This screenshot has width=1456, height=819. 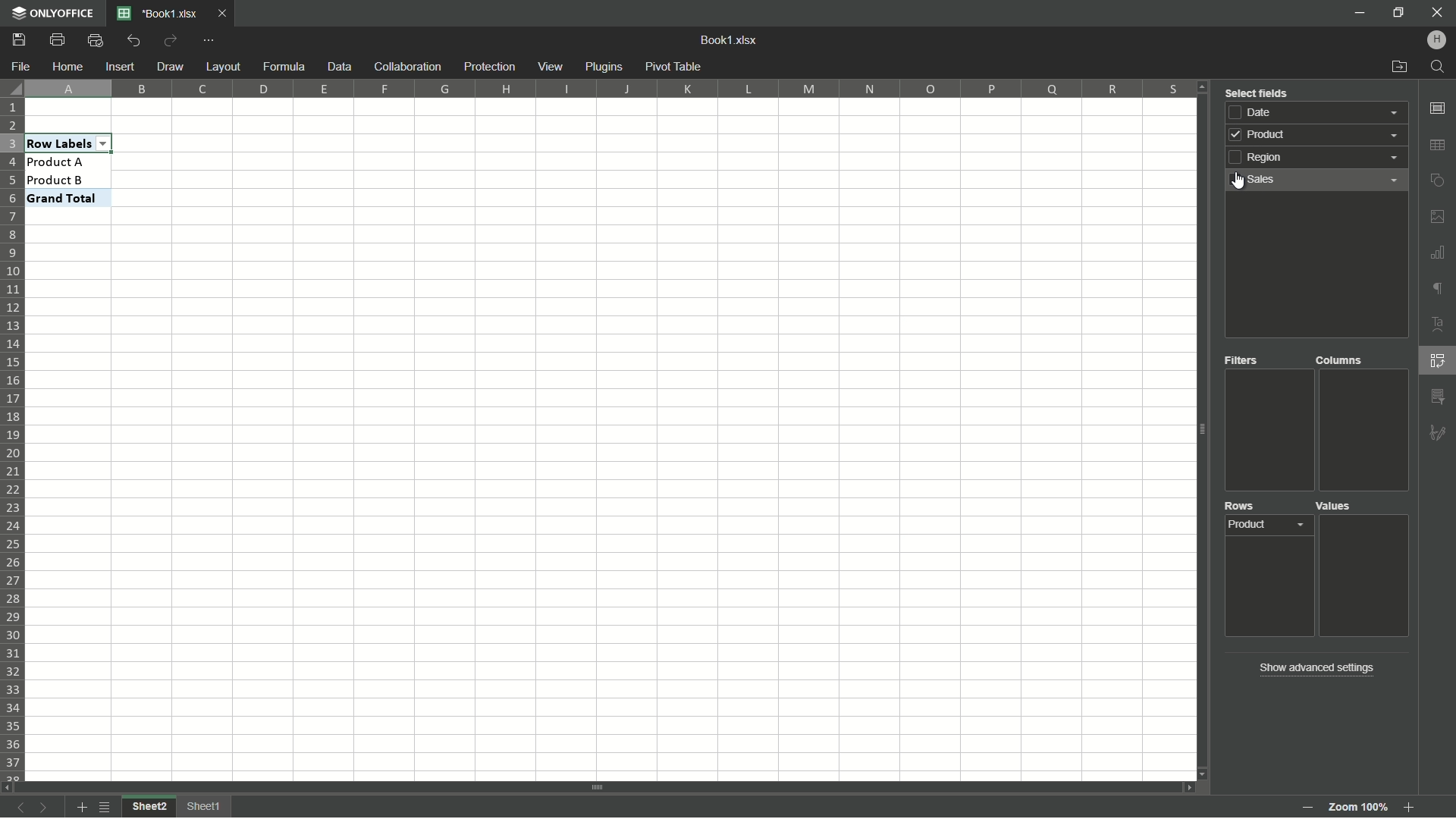 What do you see at coordinates (1203, 88) in the screenshot?
I see `Scroll up` at bounding box center [1203, 88].